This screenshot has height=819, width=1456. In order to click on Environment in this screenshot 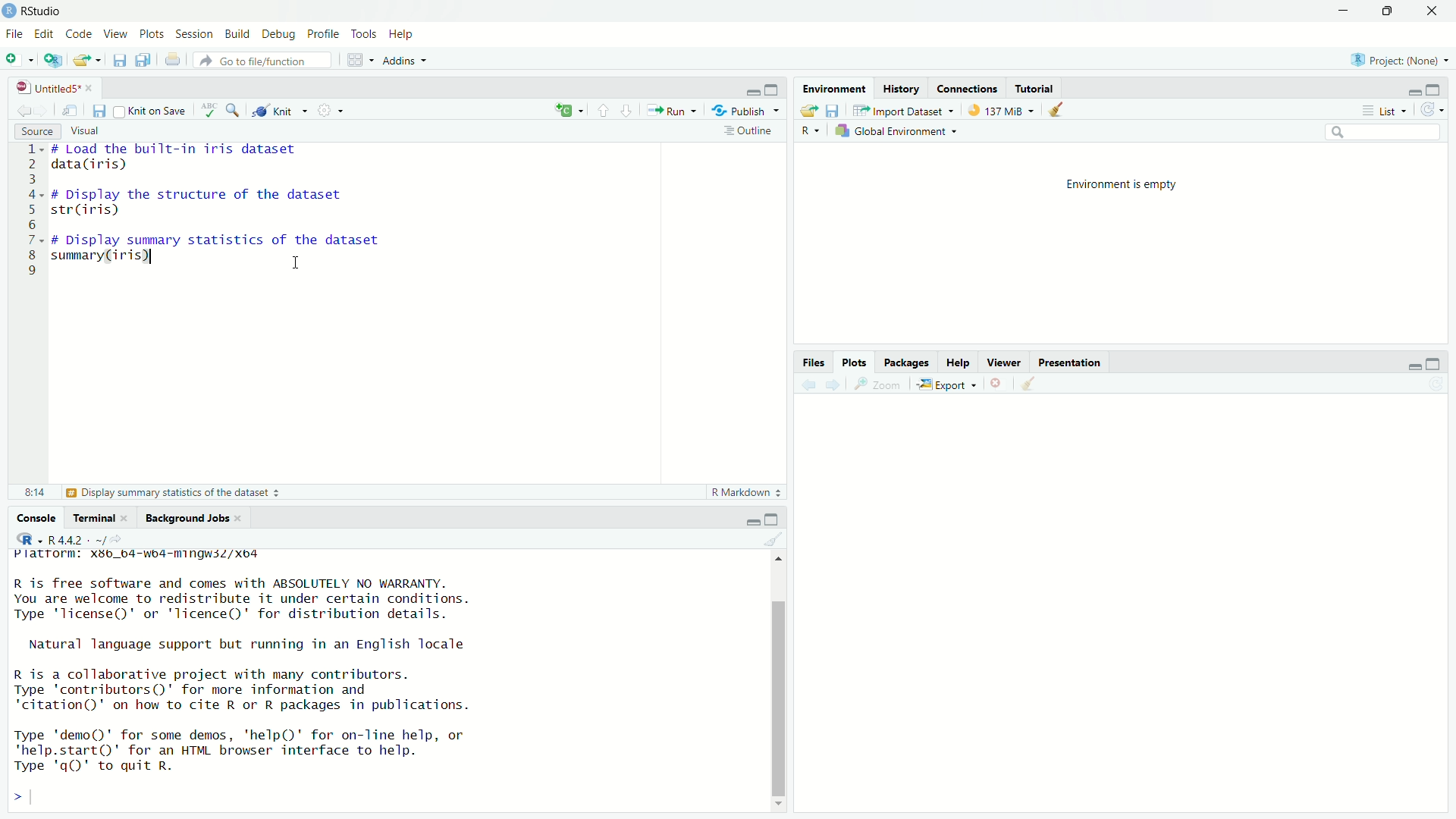, I will do `click(834, 89)`.